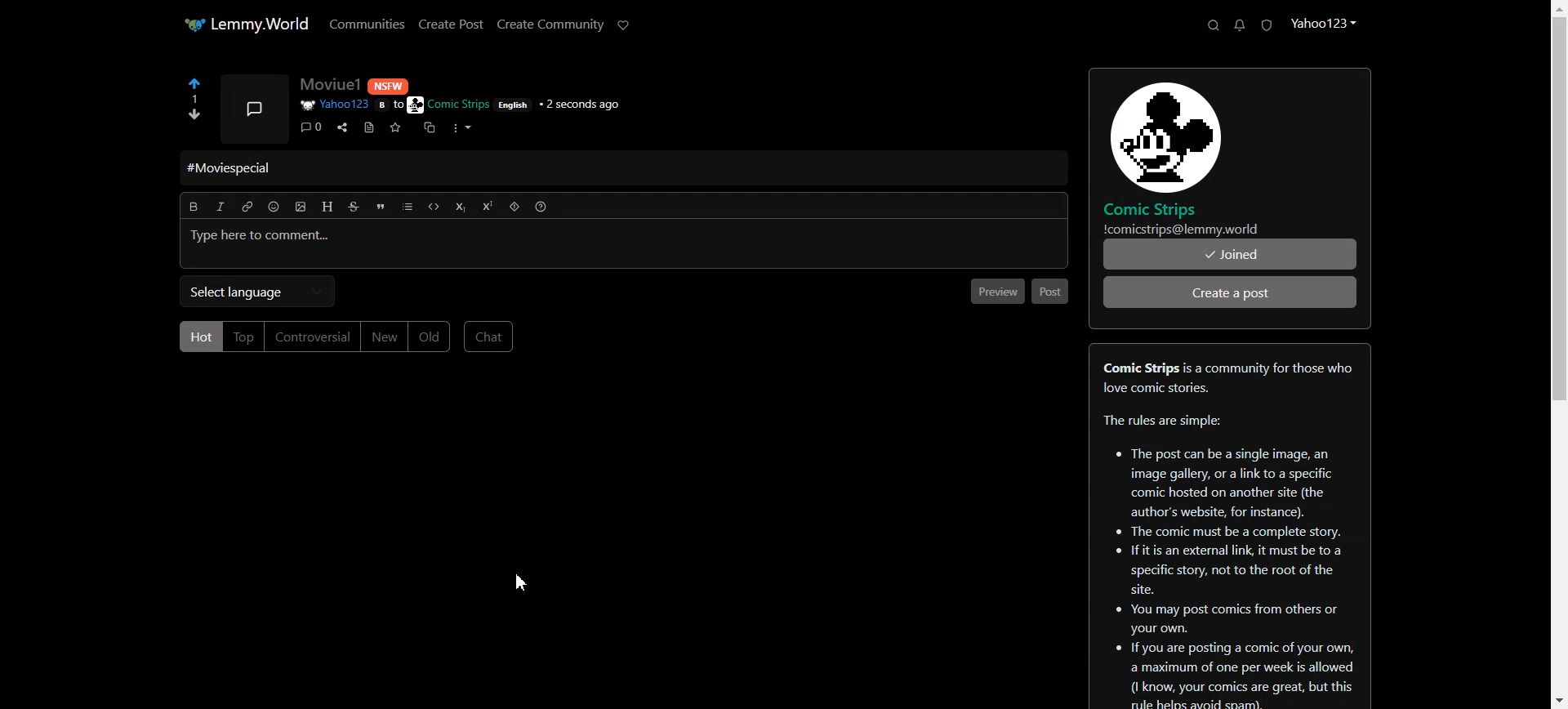 This screenshot has height=709, width=1568. Describe the element at coordinates (194, 209) in the screenshot. I see `Bold ` at that location.